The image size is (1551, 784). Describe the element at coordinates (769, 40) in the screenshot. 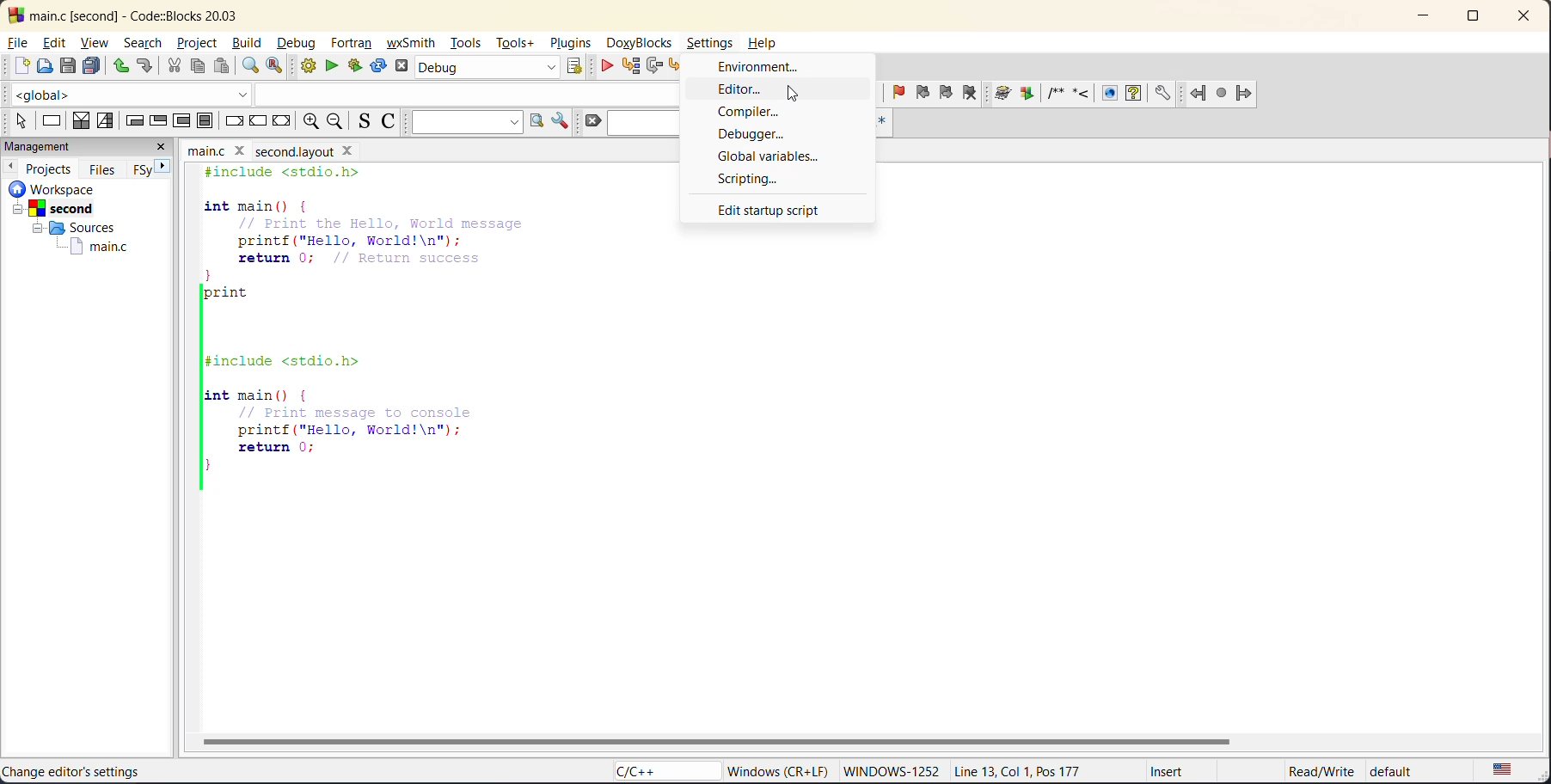

I see `Help` at that location.